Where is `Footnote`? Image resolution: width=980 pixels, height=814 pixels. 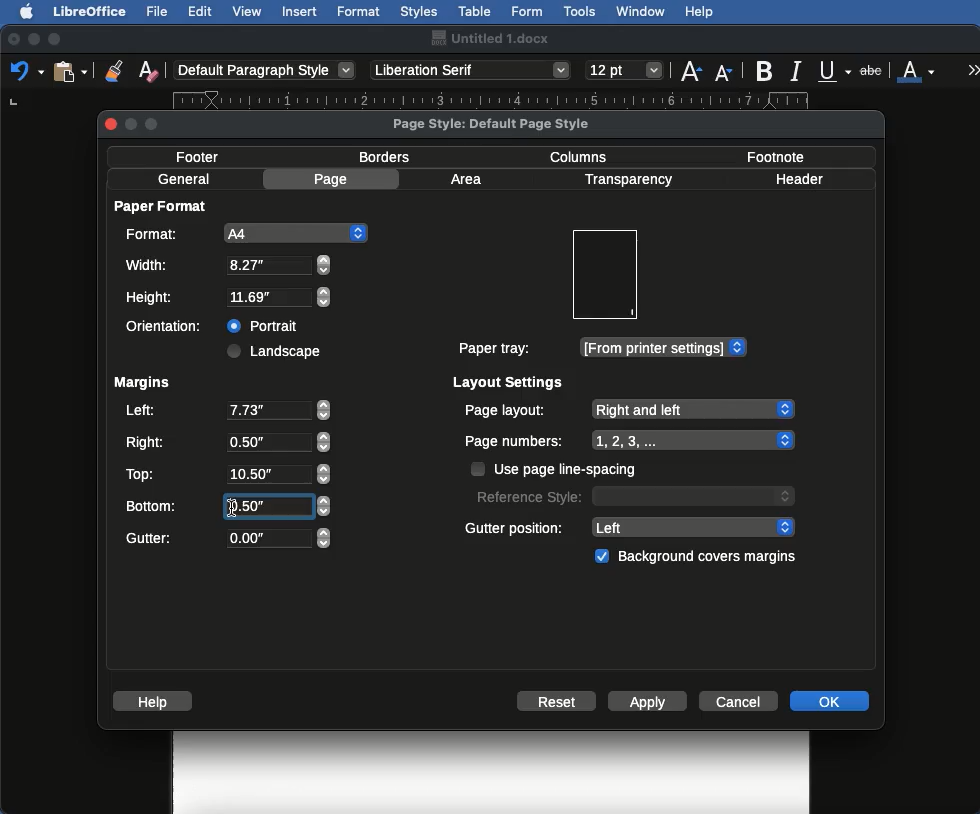
Footnote is located at coordinates (774, 156).